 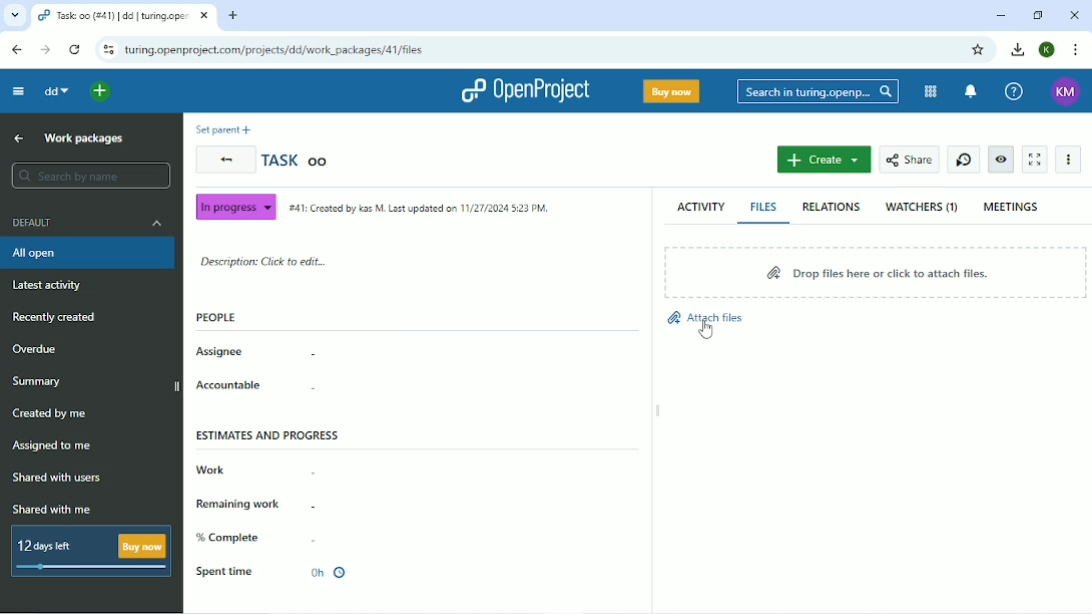 What do you see at coordinates (17, 91) in the screenshot?
I see `Collapse project menu` at bounding box center [17, 91].